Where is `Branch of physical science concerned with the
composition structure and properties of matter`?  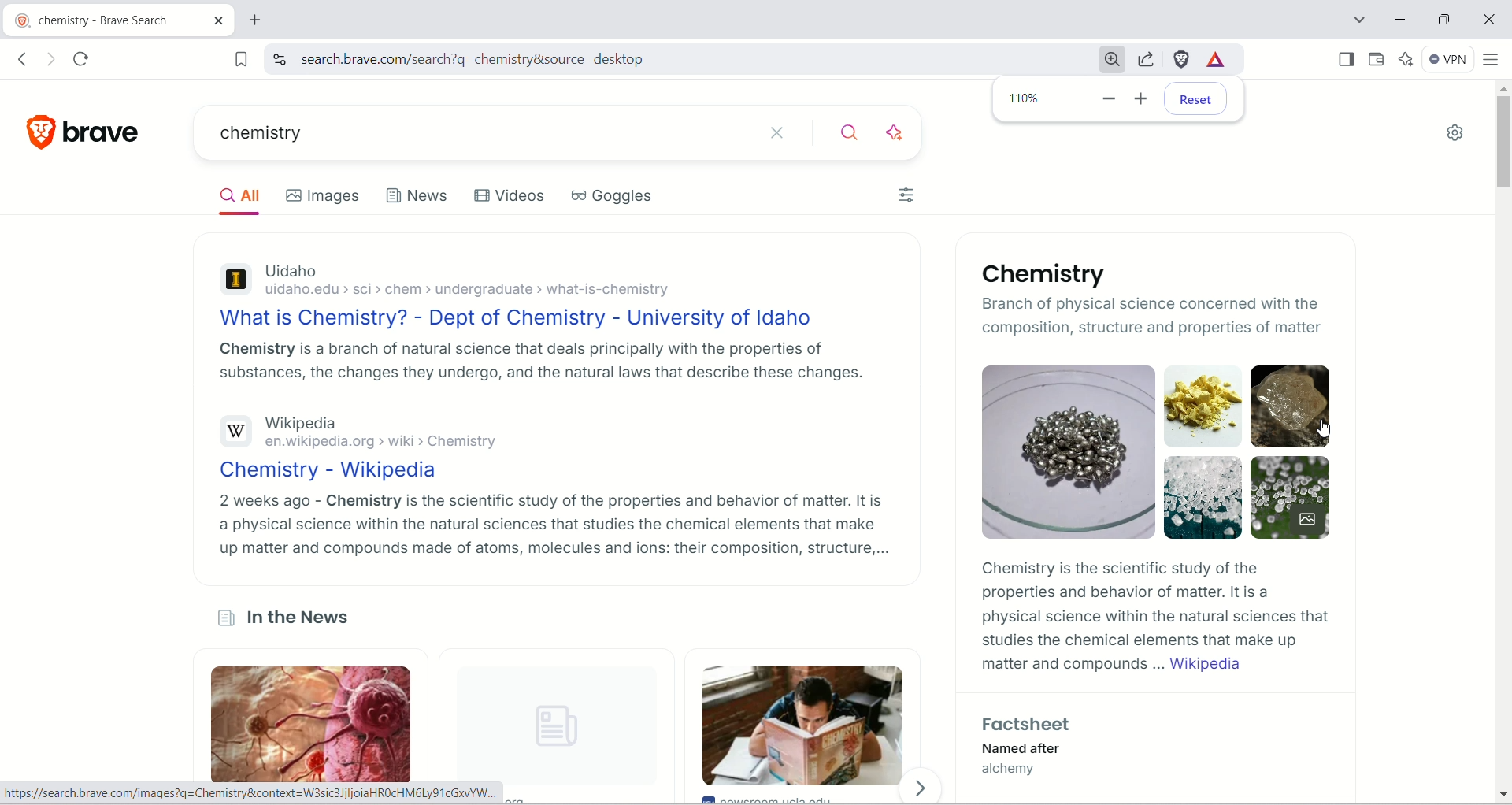 Branch of physical science concerned with the
composition structure and properties of matter is located at coordinates (1153, 317).